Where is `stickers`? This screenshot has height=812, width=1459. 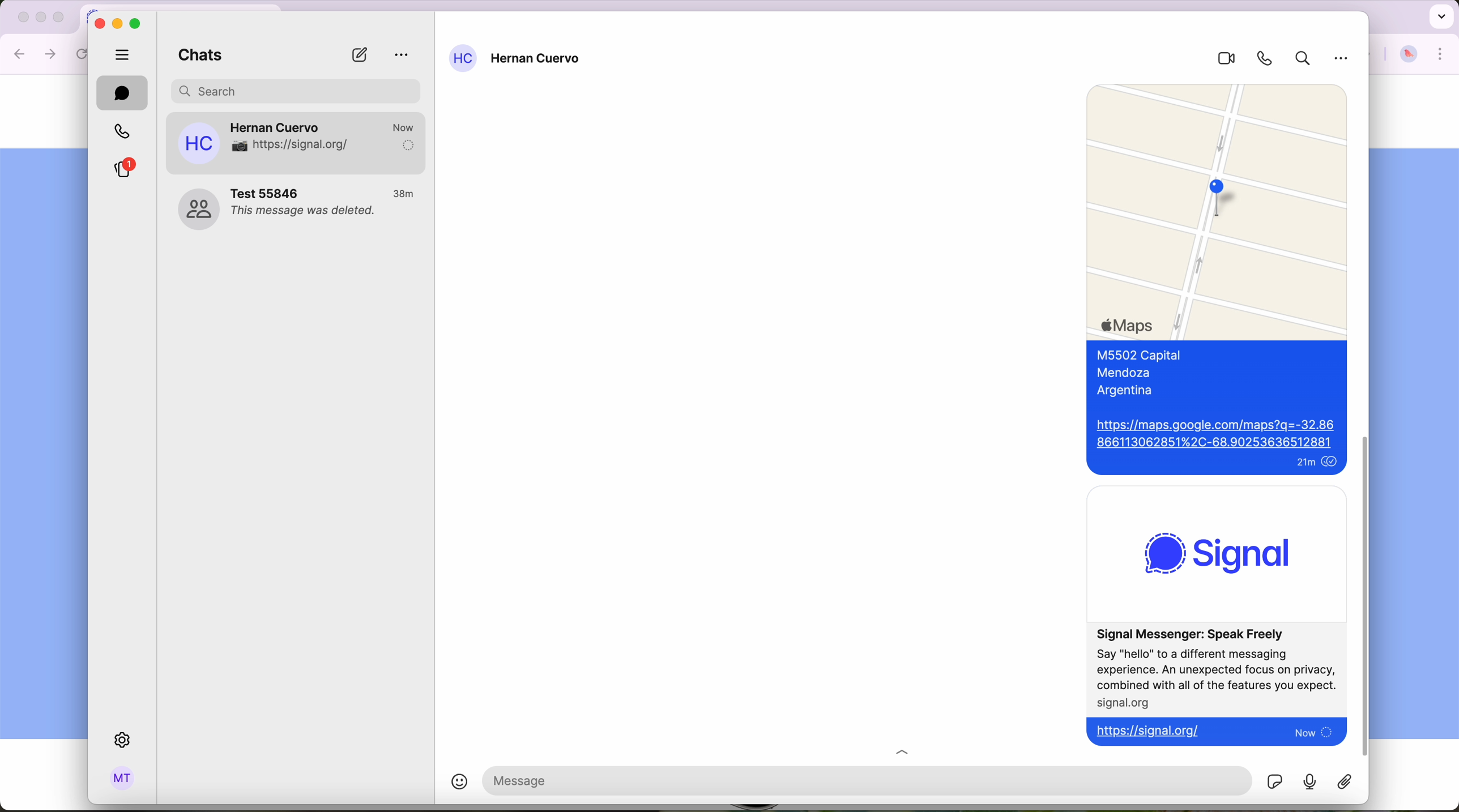
stickers is located at coordinates (1274, 780).